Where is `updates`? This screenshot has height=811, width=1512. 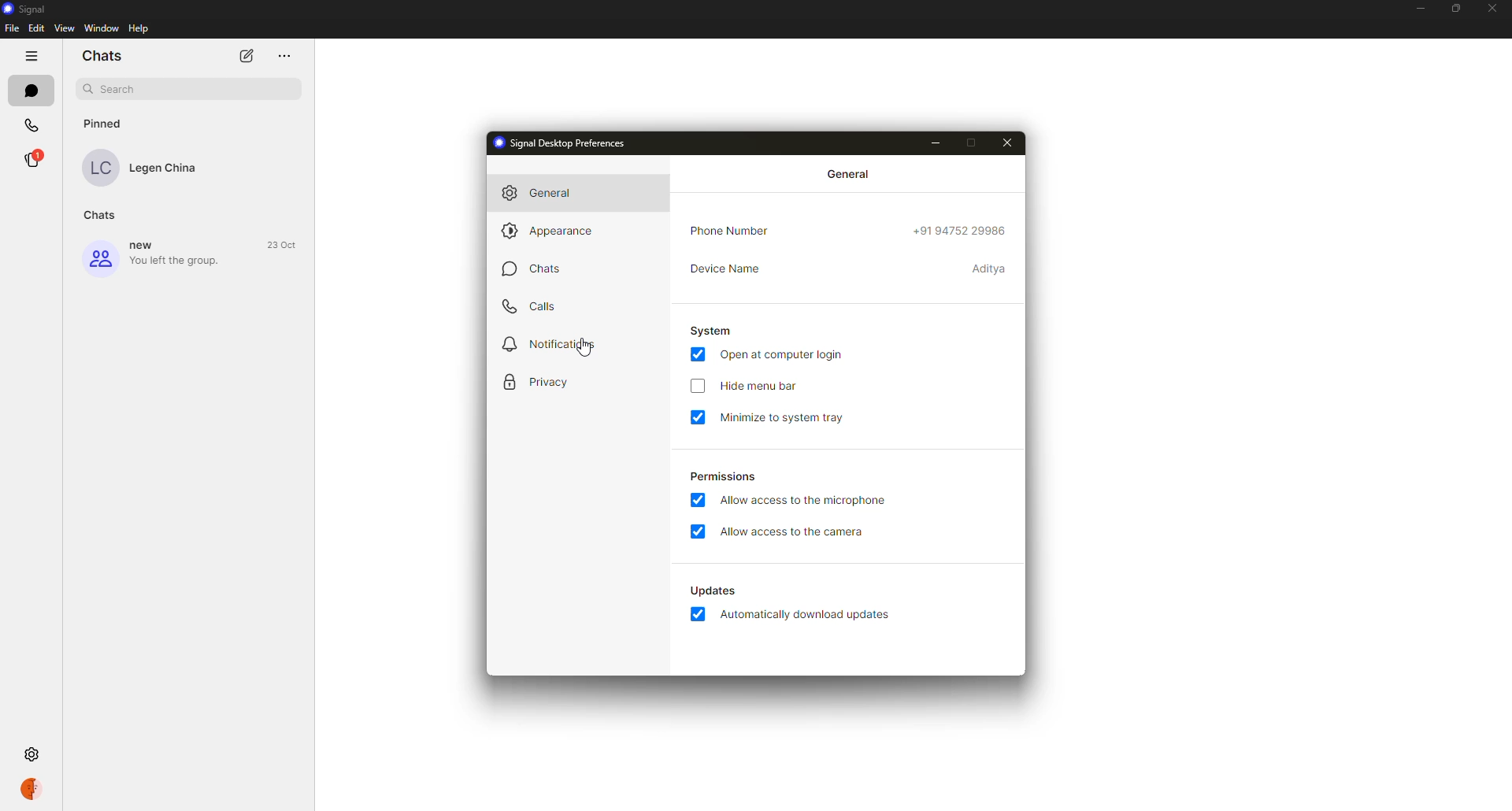 updates is located at coordinates (714, 591).